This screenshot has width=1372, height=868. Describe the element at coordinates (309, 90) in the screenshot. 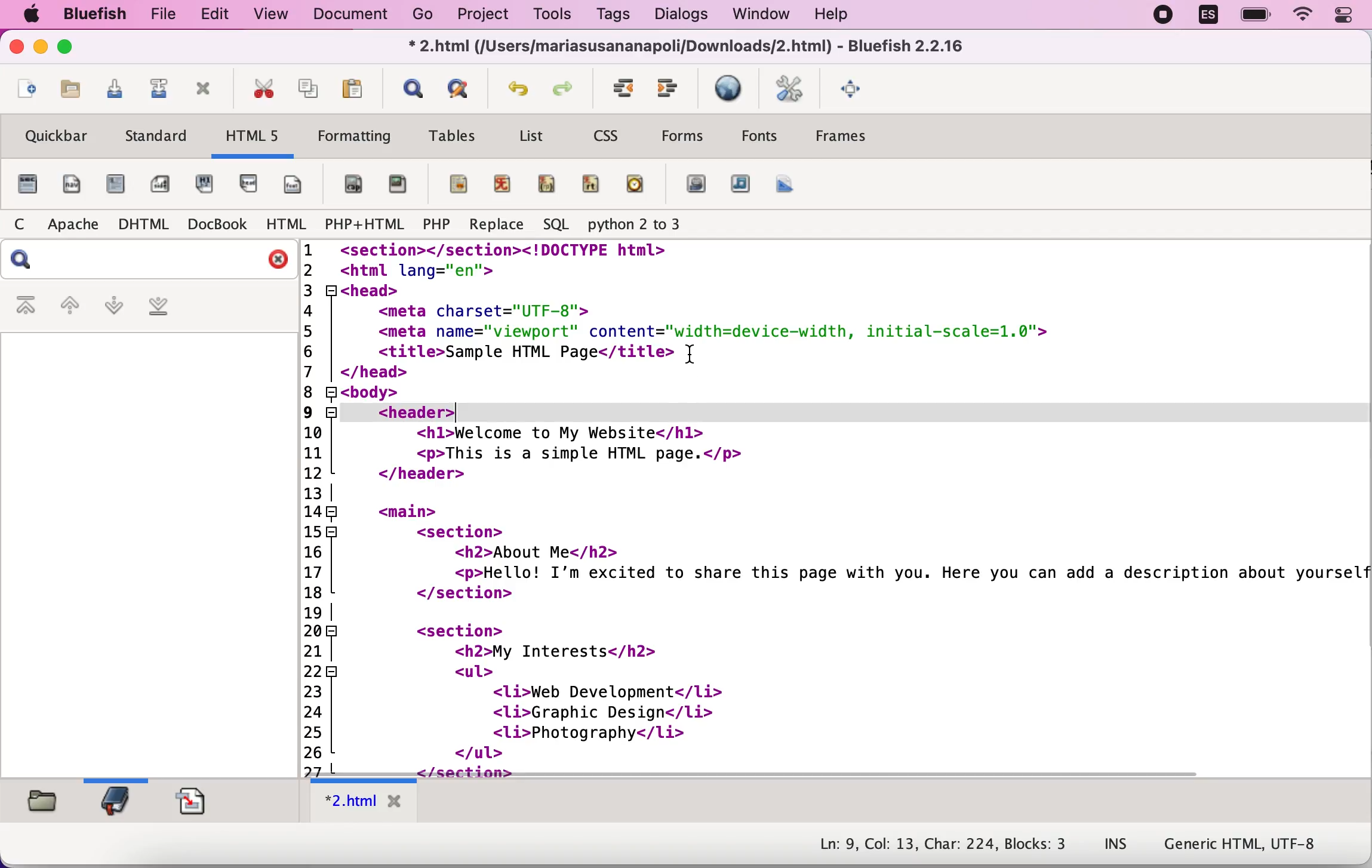

I see `copy` at that location.